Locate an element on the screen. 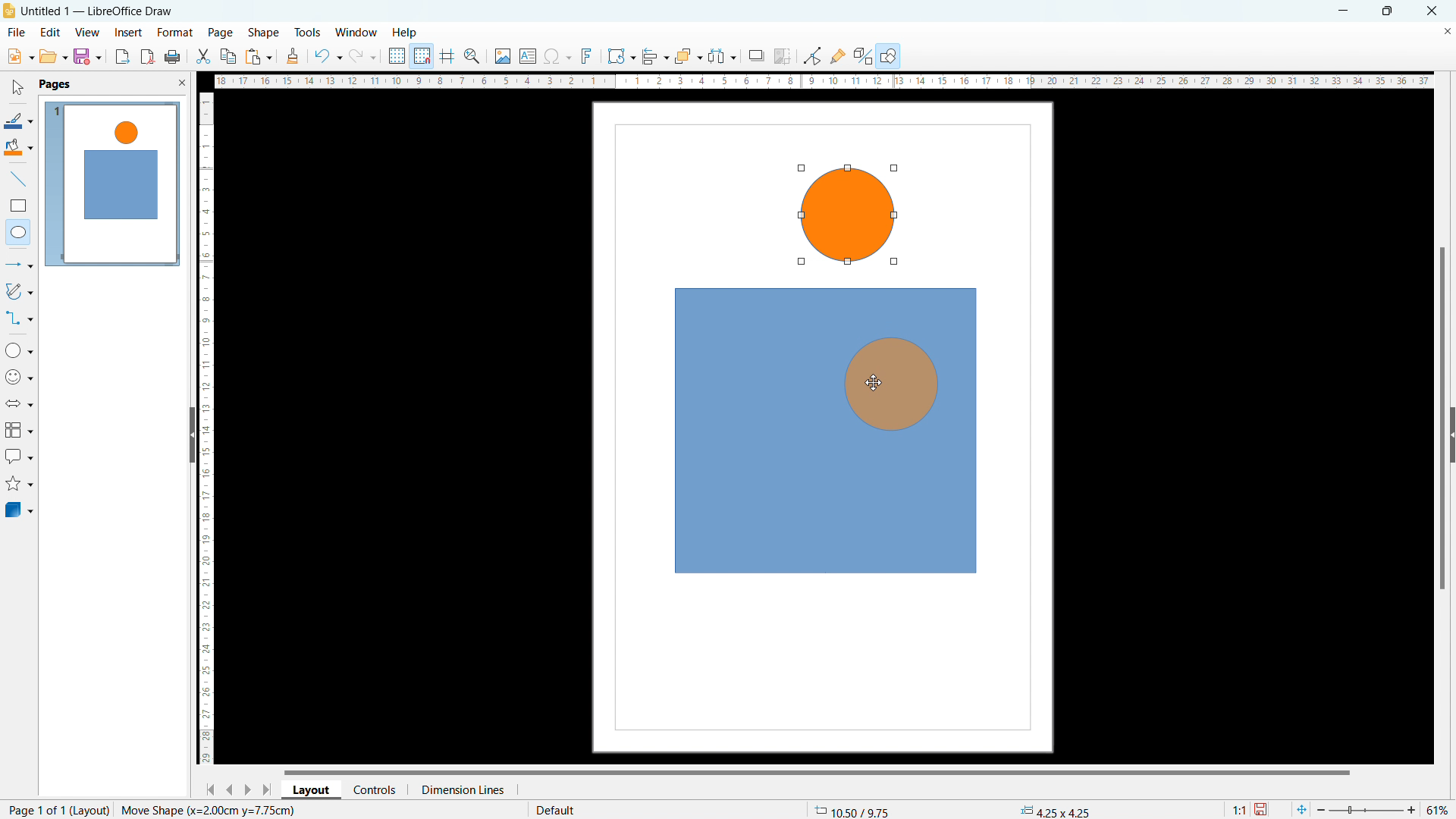 The image size is (1456, 819). cursor coordinates is located at coordinates (853, 808).